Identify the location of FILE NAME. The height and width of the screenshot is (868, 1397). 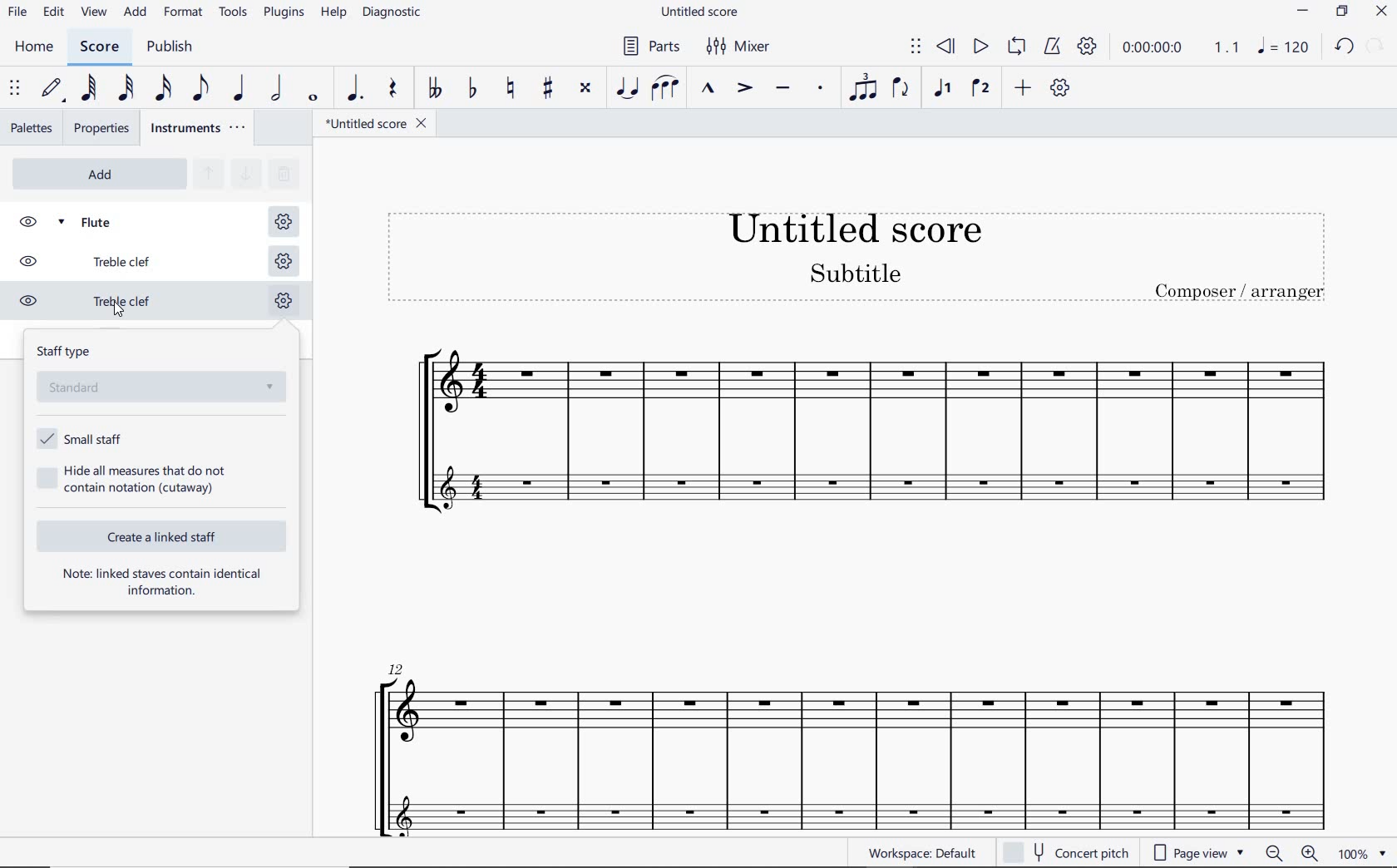
(699, 11).